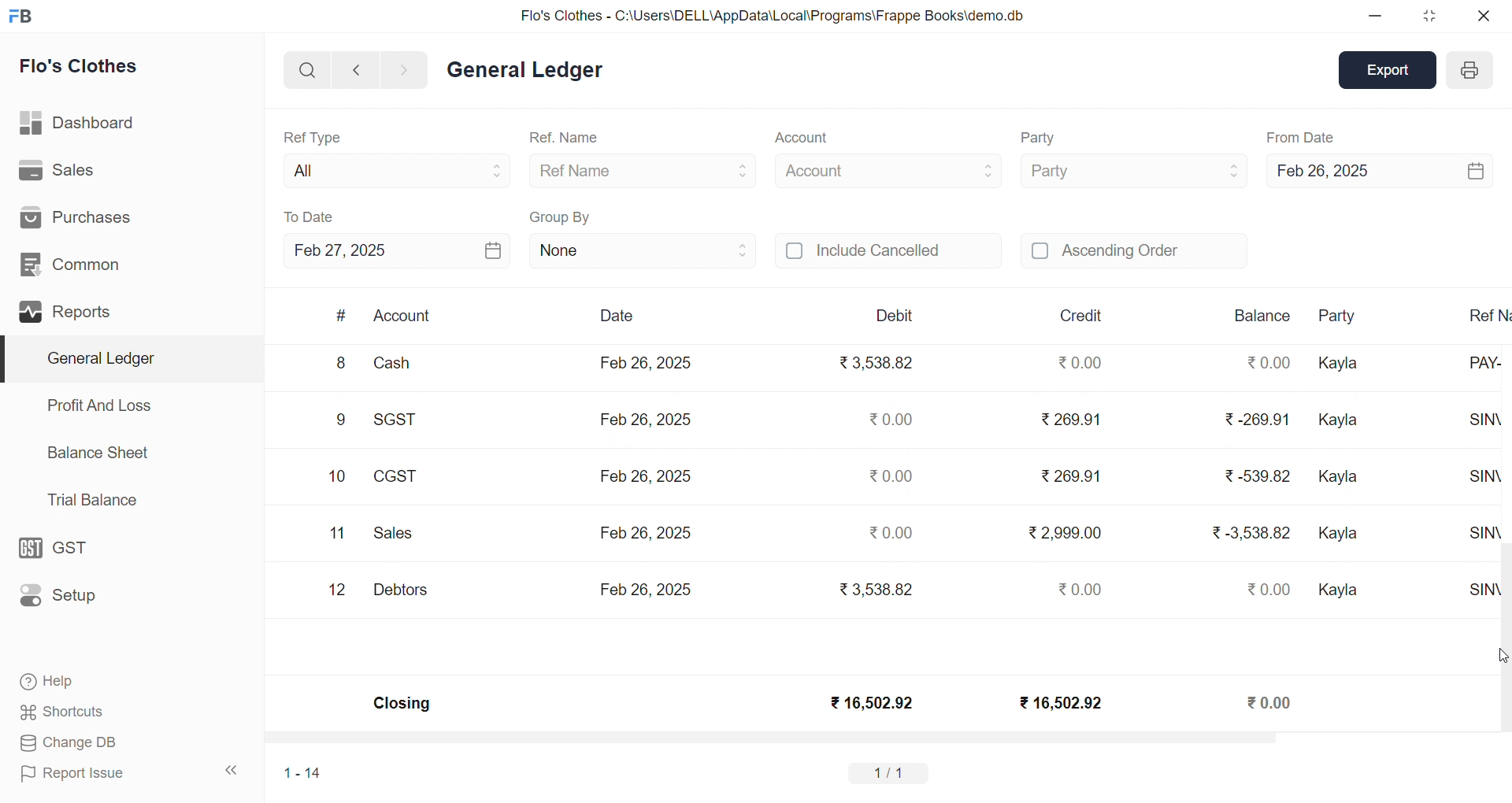  I want to click on Ref Name, so click(644, 170).